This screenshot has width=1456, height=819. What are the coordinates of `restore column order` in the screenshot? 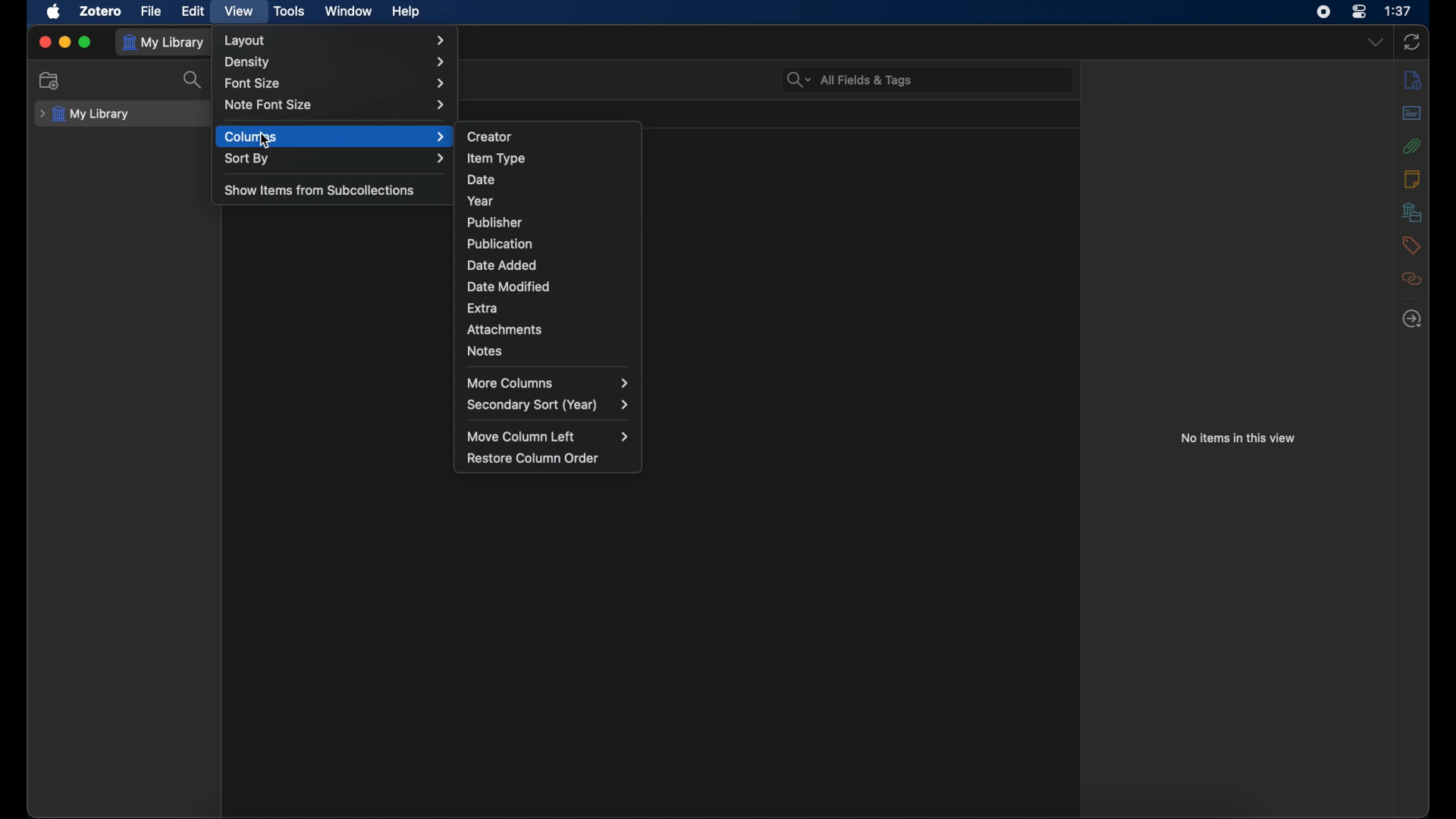 It's located at (534, 458).